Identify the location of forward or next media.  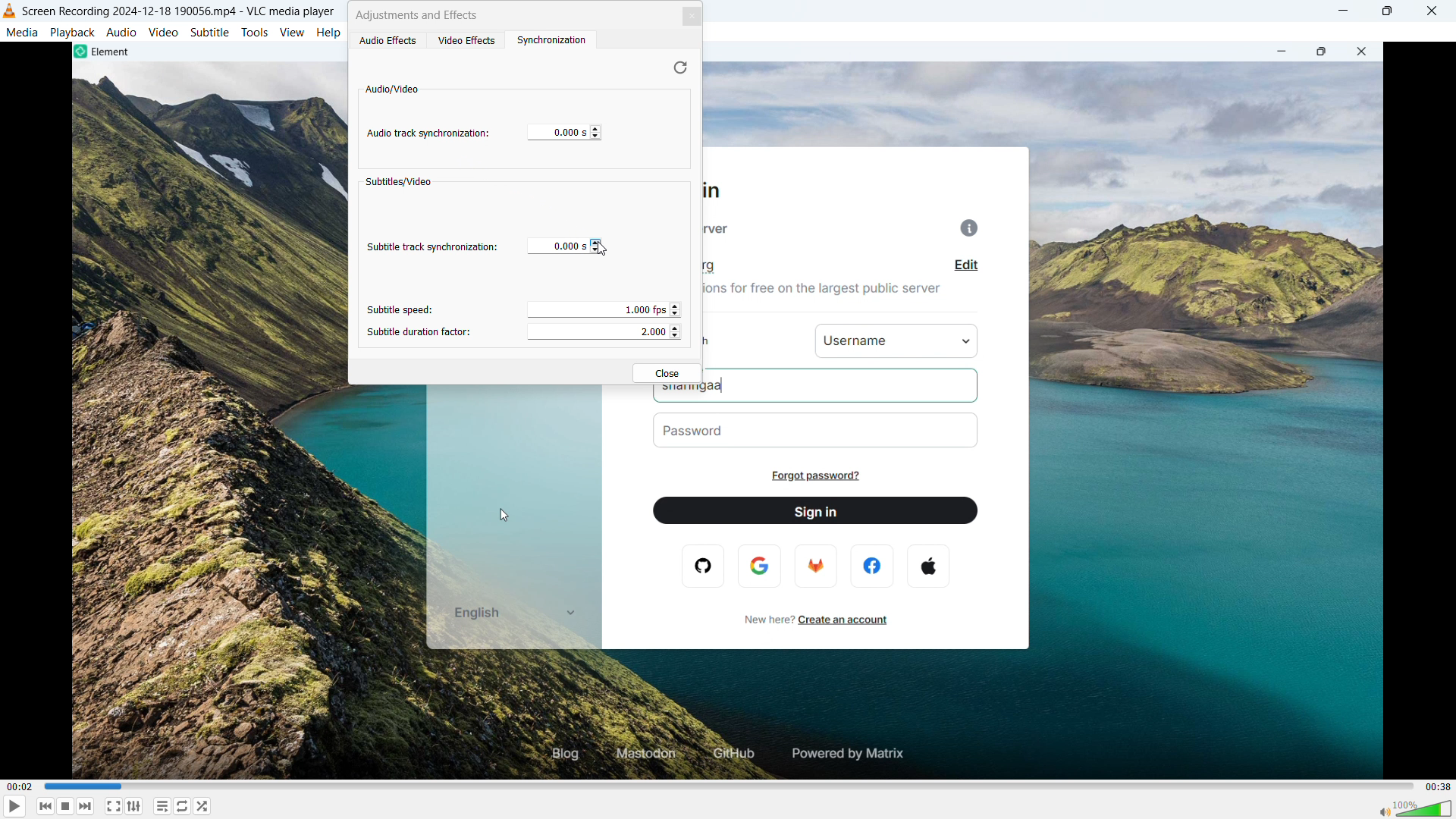
(86, 806).